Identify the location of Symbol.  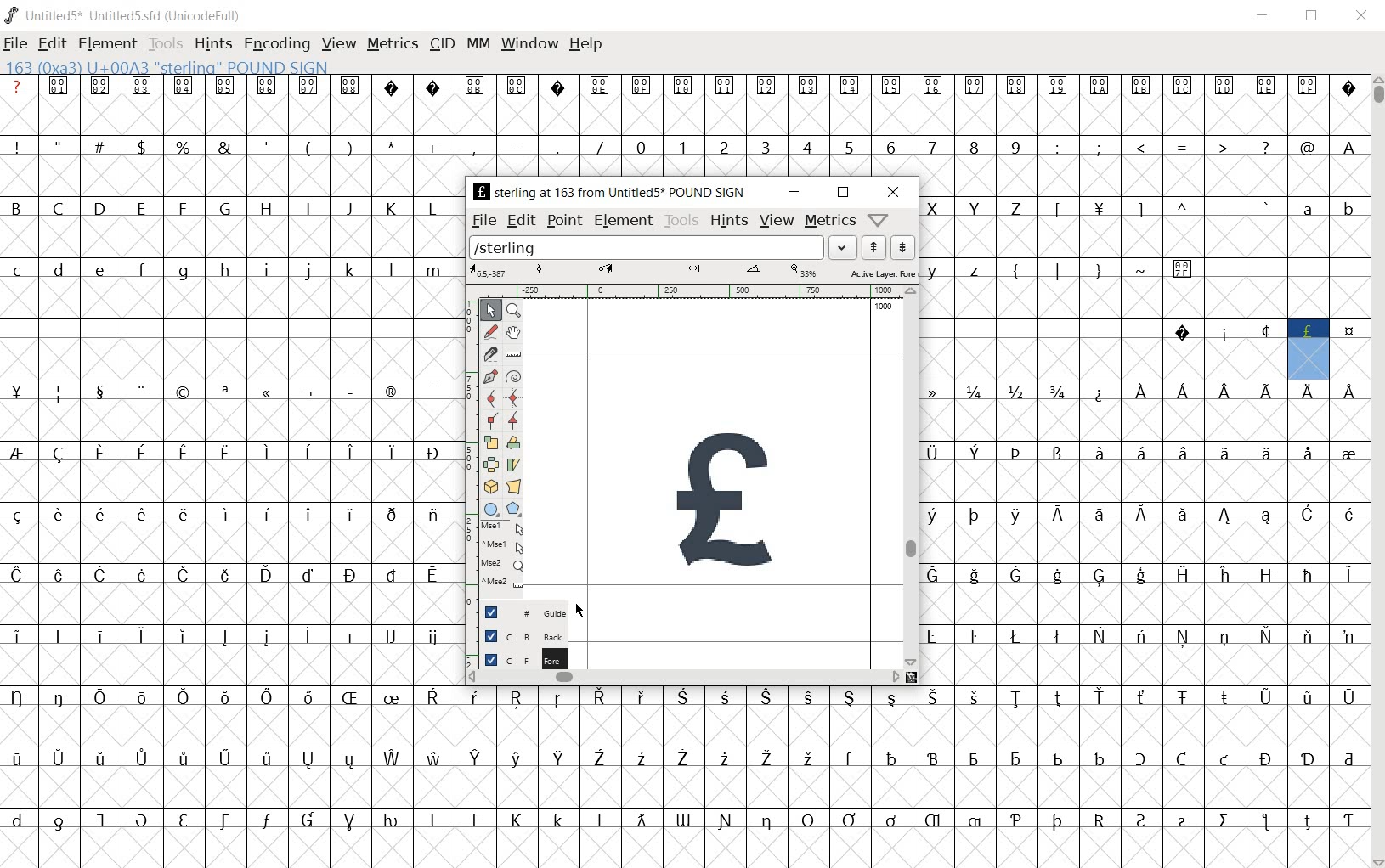
(1309, 87).